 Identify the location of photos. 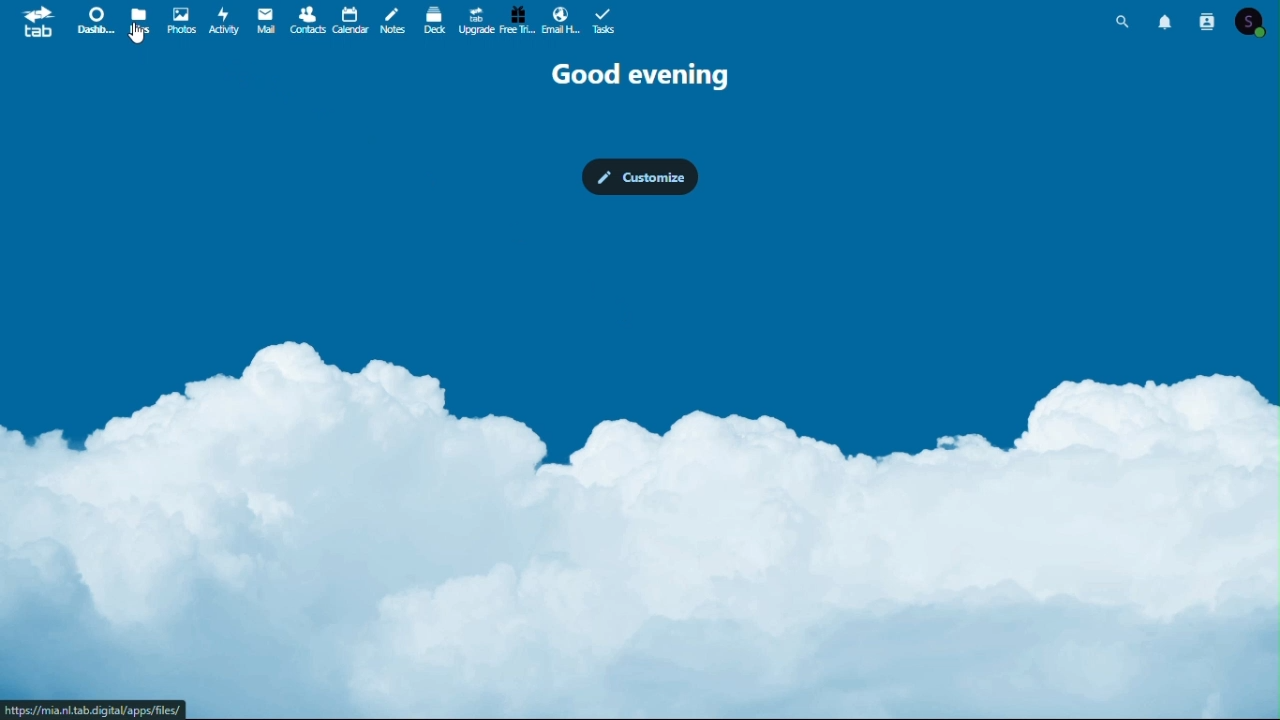
(180, 19).